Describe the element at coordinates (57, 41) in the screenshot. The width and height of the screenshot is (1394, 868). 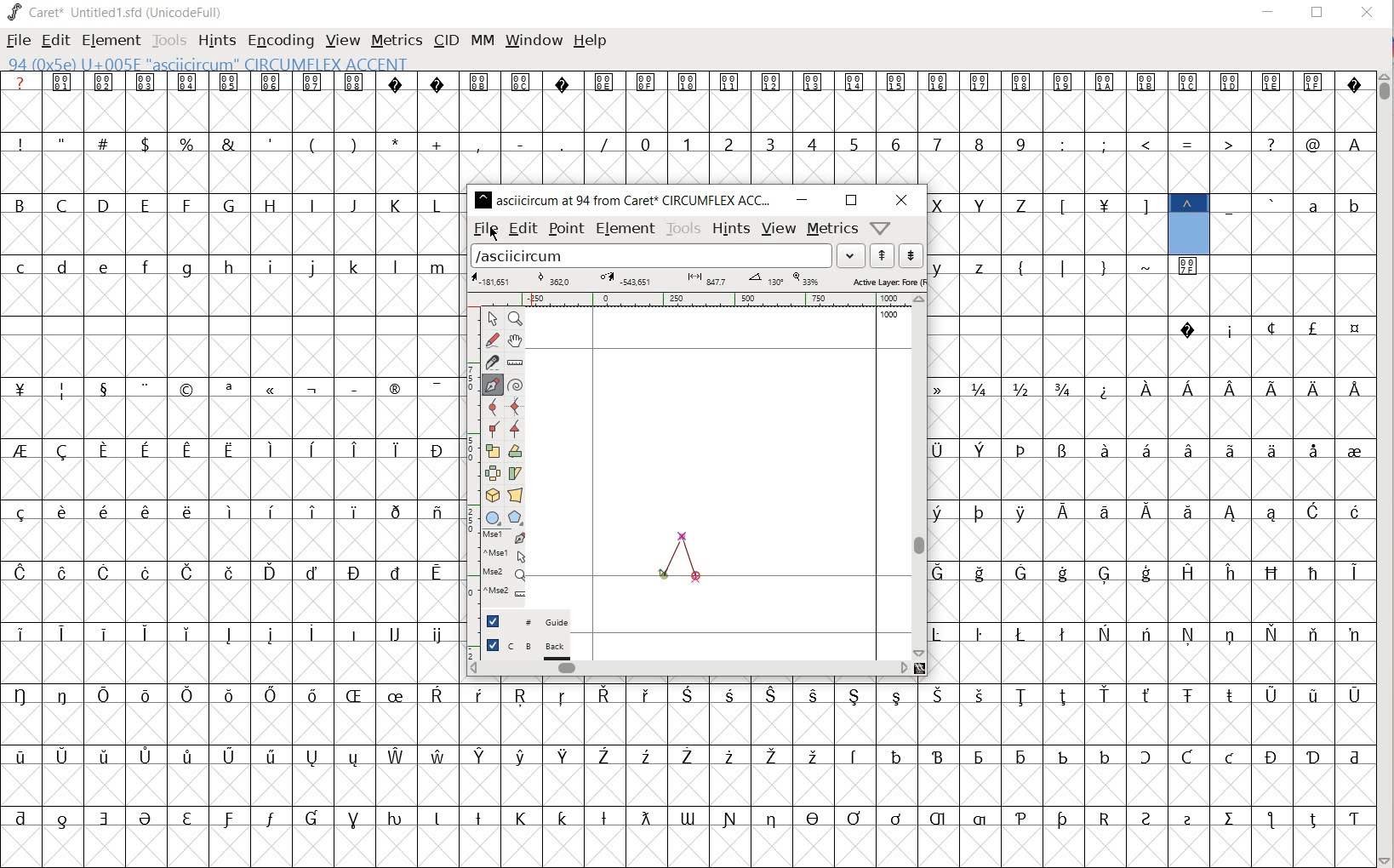
I see `EDIT` at that location.